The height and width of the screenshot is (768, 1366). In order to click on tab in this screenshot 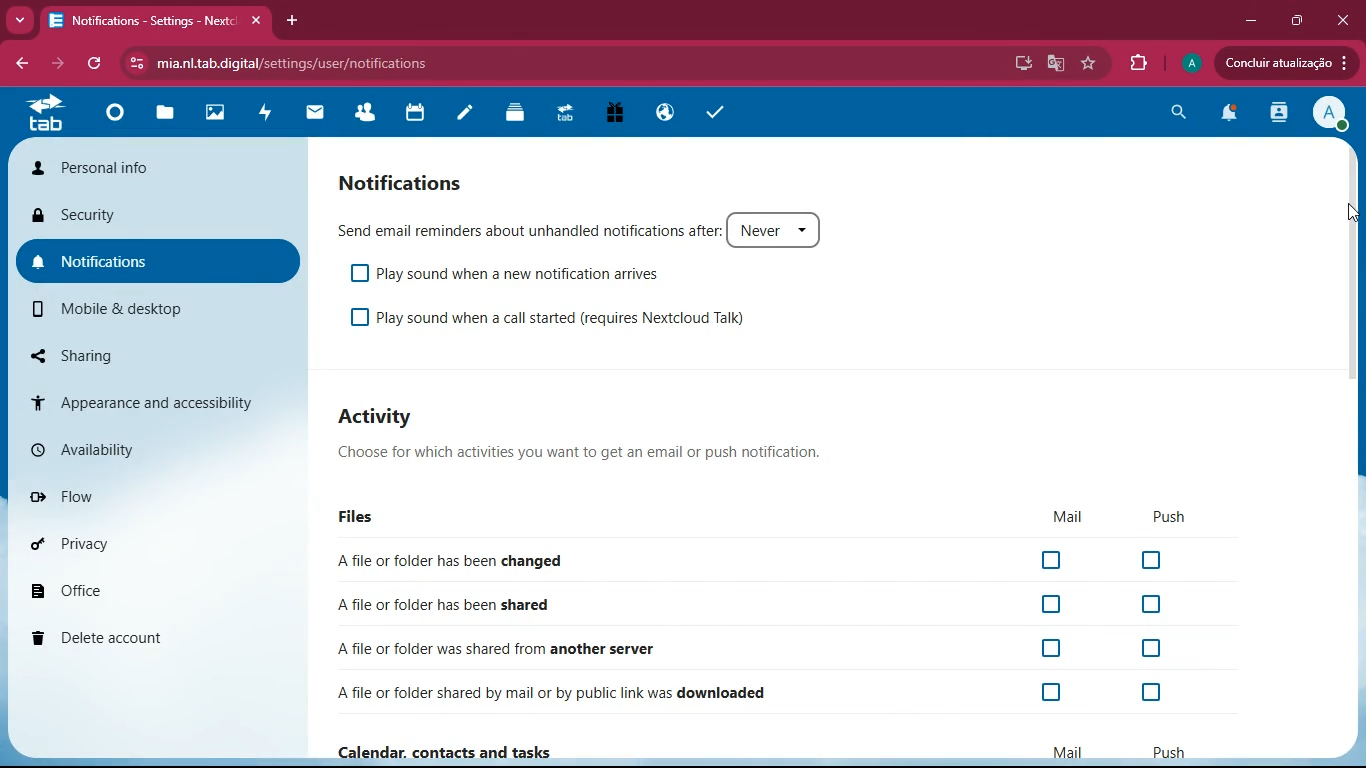, I will do `click(569, 114)`.